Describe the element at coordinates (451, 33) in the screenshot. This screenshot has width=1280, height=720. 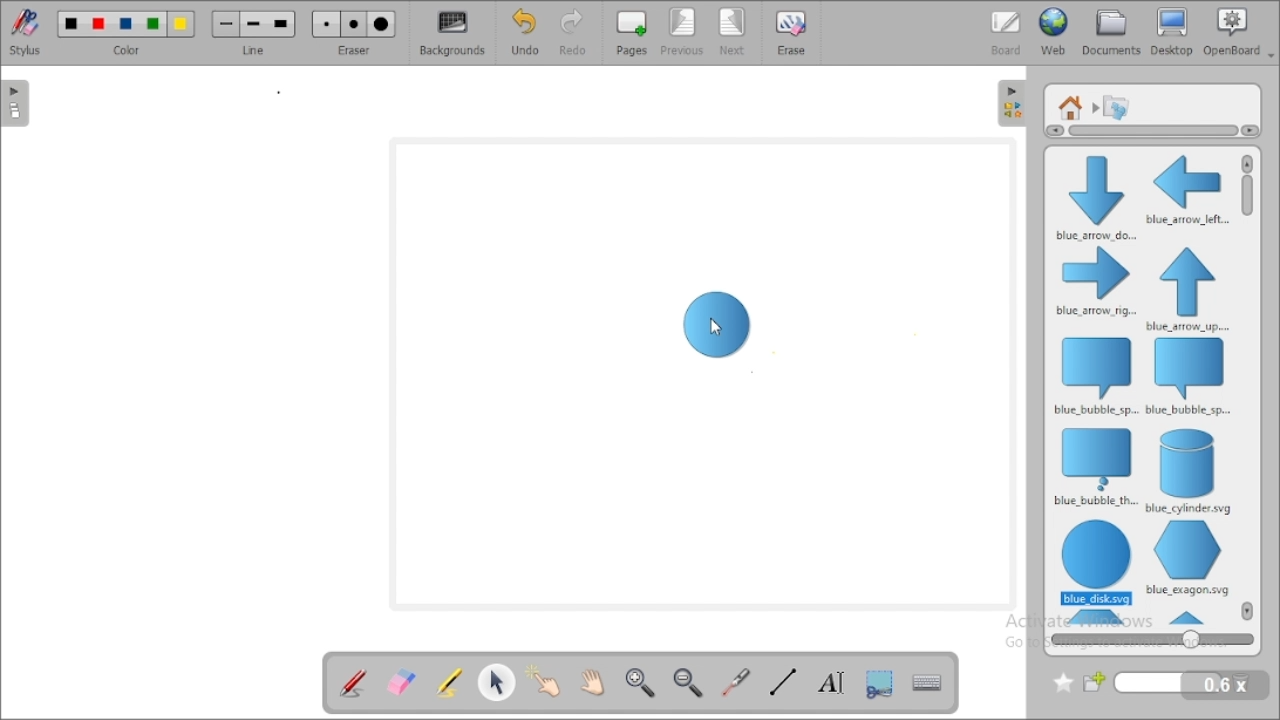
I see `backgrounds` at that location.